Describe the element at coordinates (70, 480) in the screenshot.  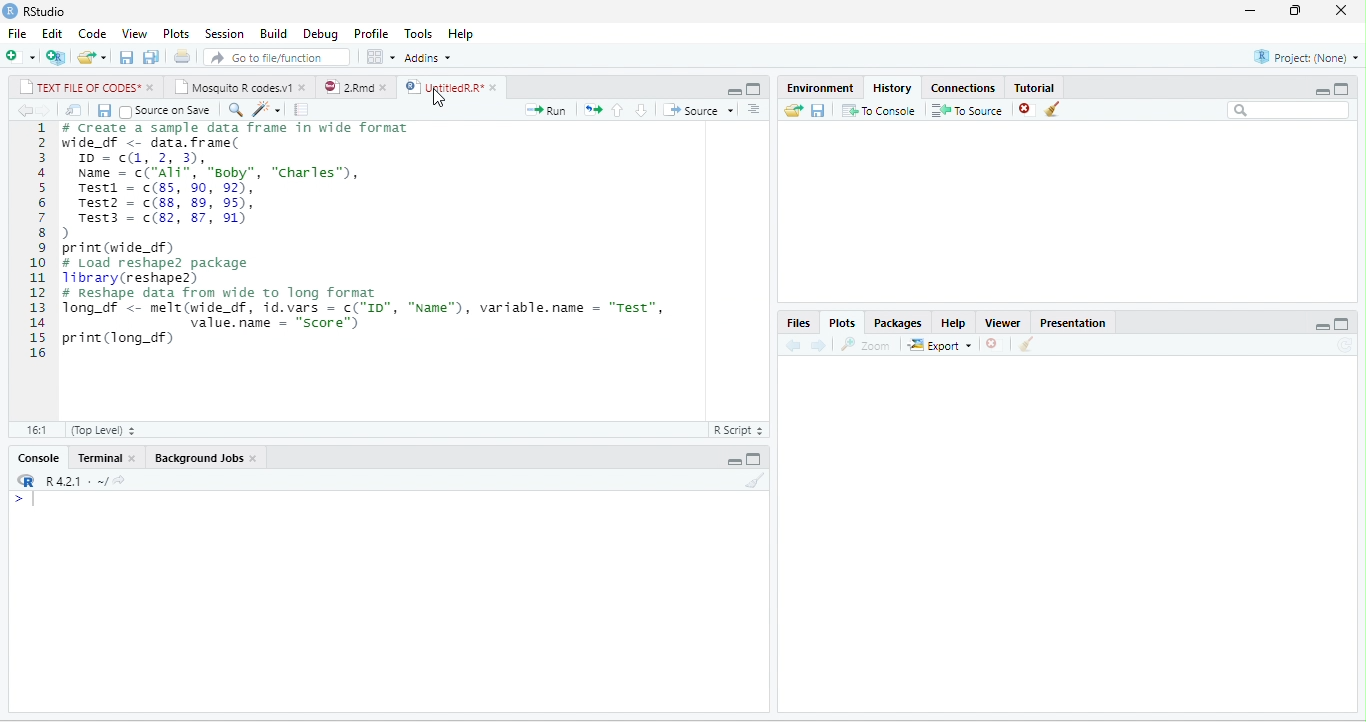
I see `R 4.2.1.~/` at that location.